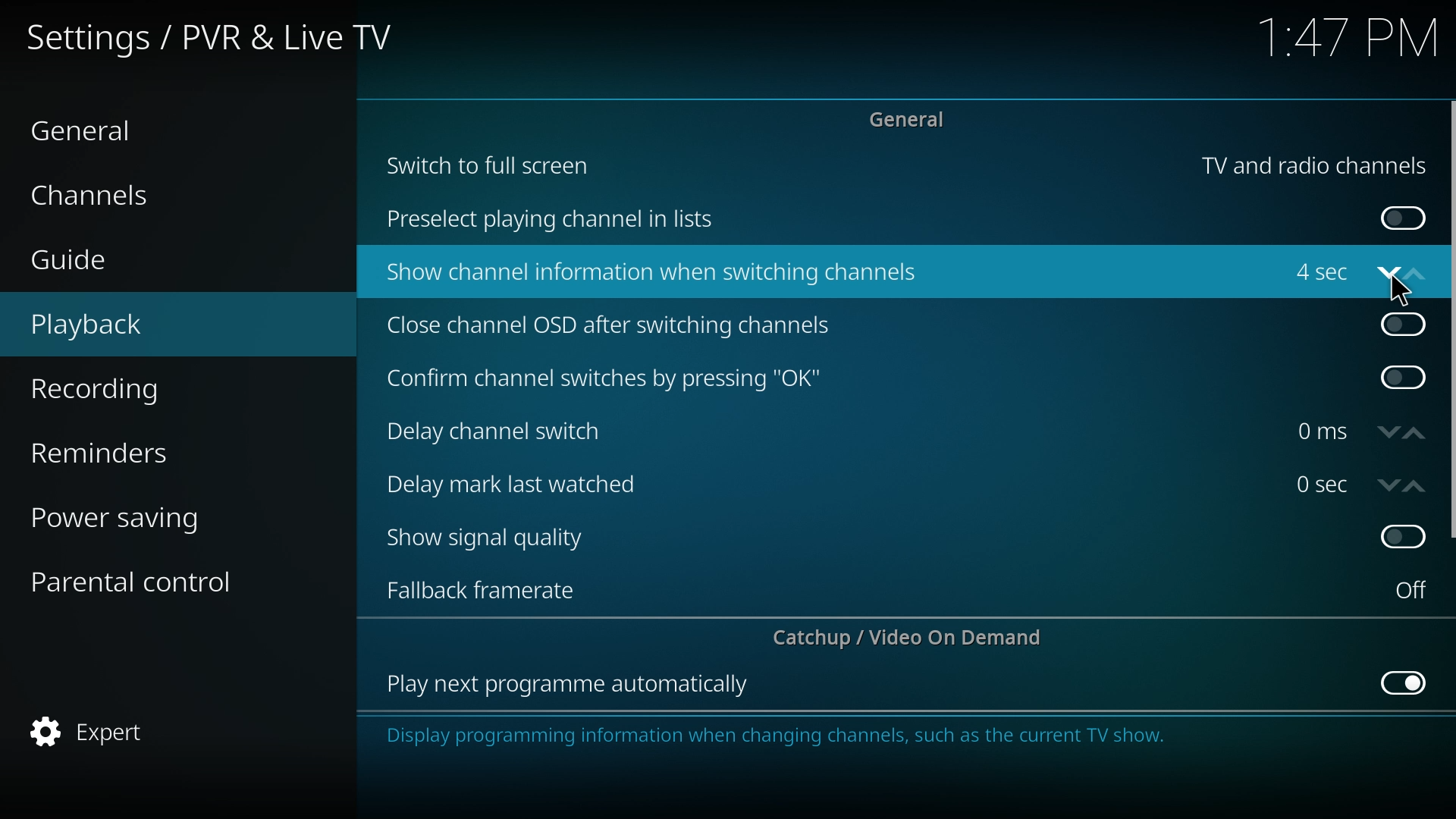 This screenshot has width=1456, height=819. I want to click on cursor, so click(1403, 289).